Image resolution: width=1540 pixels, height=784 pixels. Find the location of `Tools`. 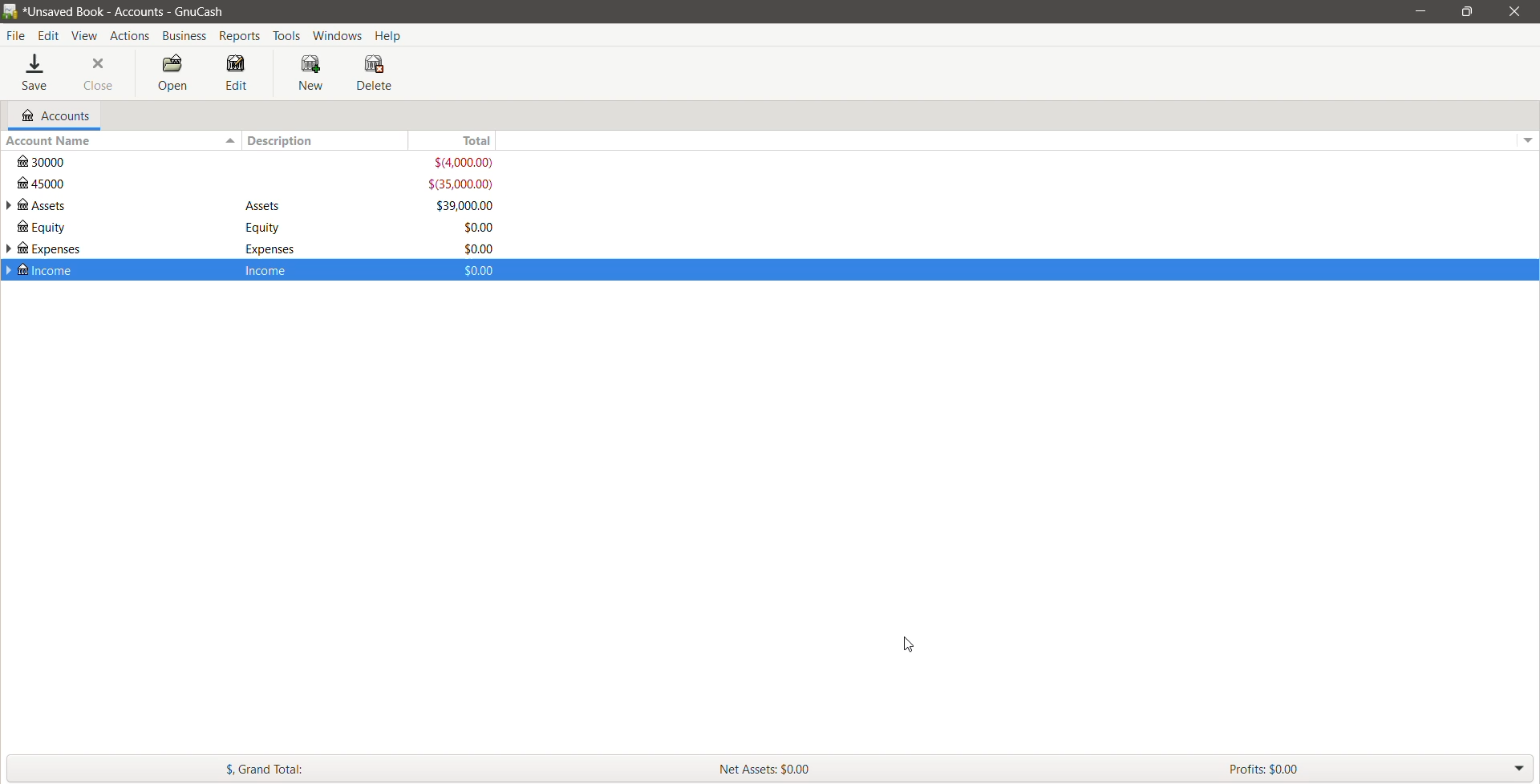

Tools is located at coordinates (287, 36).